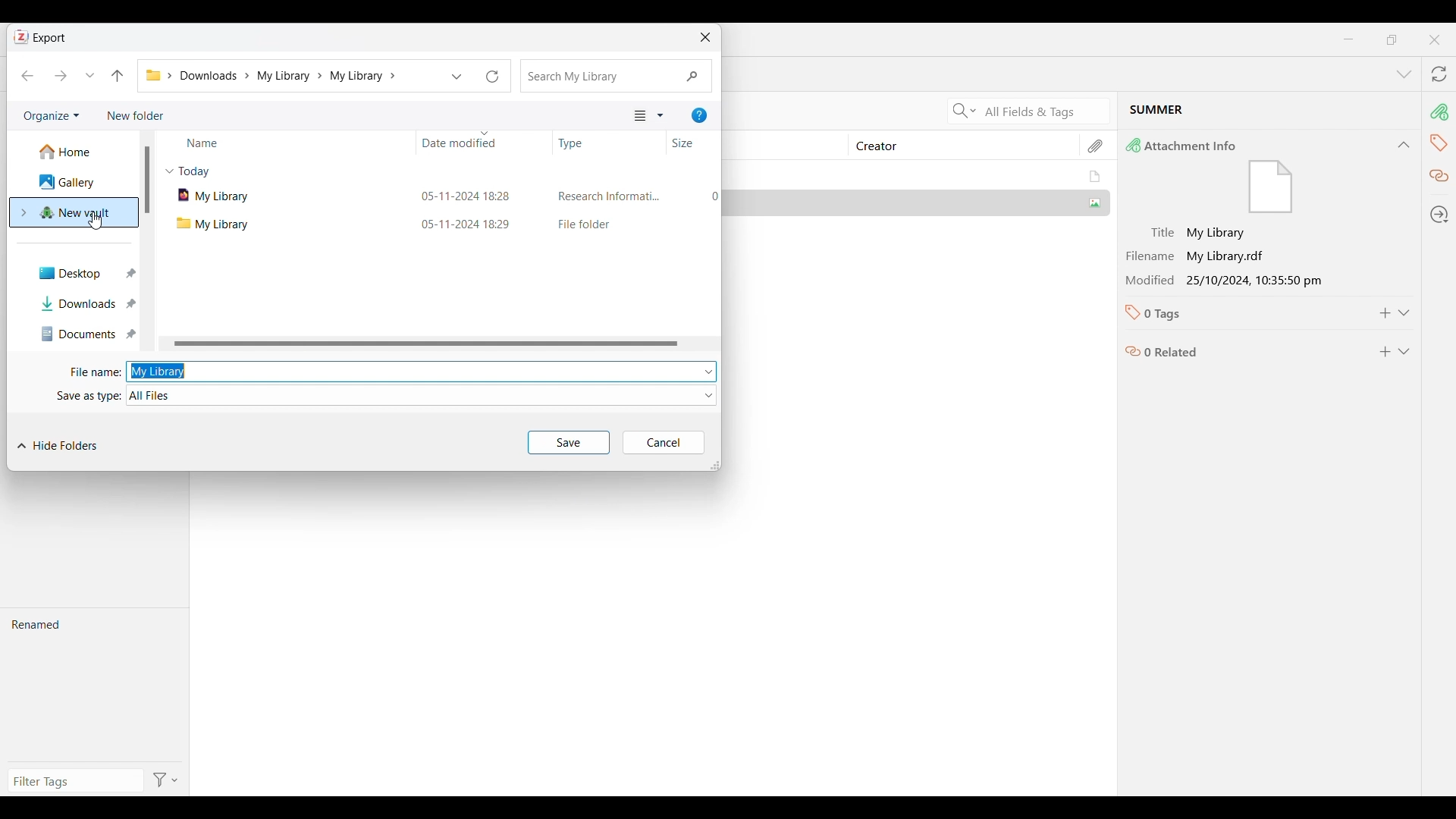 Image resolution: width=1456 pixels, height=819 pixels. I want to click on Size , so click(688, 143).